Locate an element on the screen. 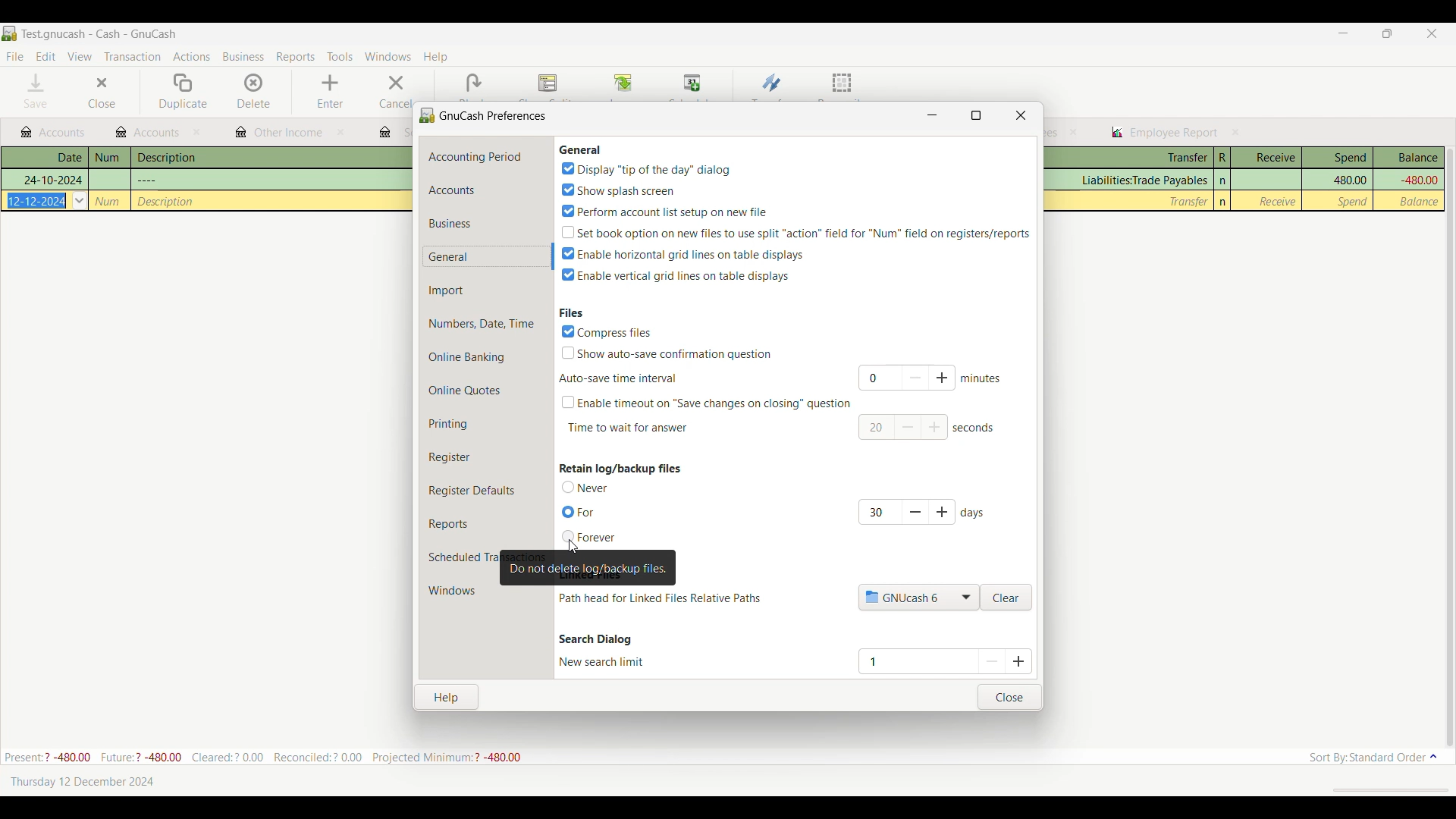 The height and width of the screenshot is (819, 1456).  is located at coordinates (38, 200).